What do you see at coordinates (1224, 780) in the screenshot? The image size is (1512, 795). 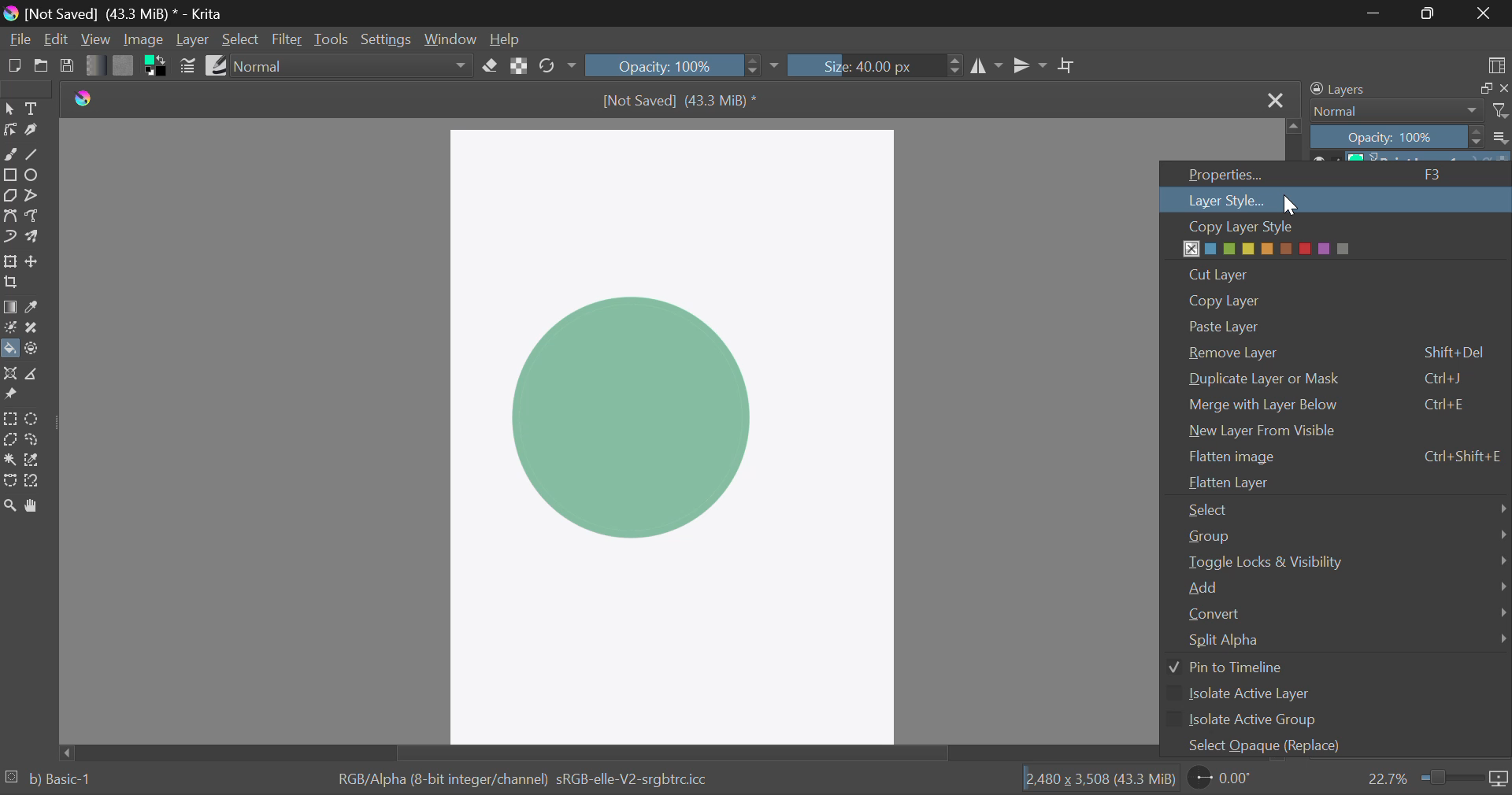 I see `Page Rotation` at bounding box center [1224, 780].